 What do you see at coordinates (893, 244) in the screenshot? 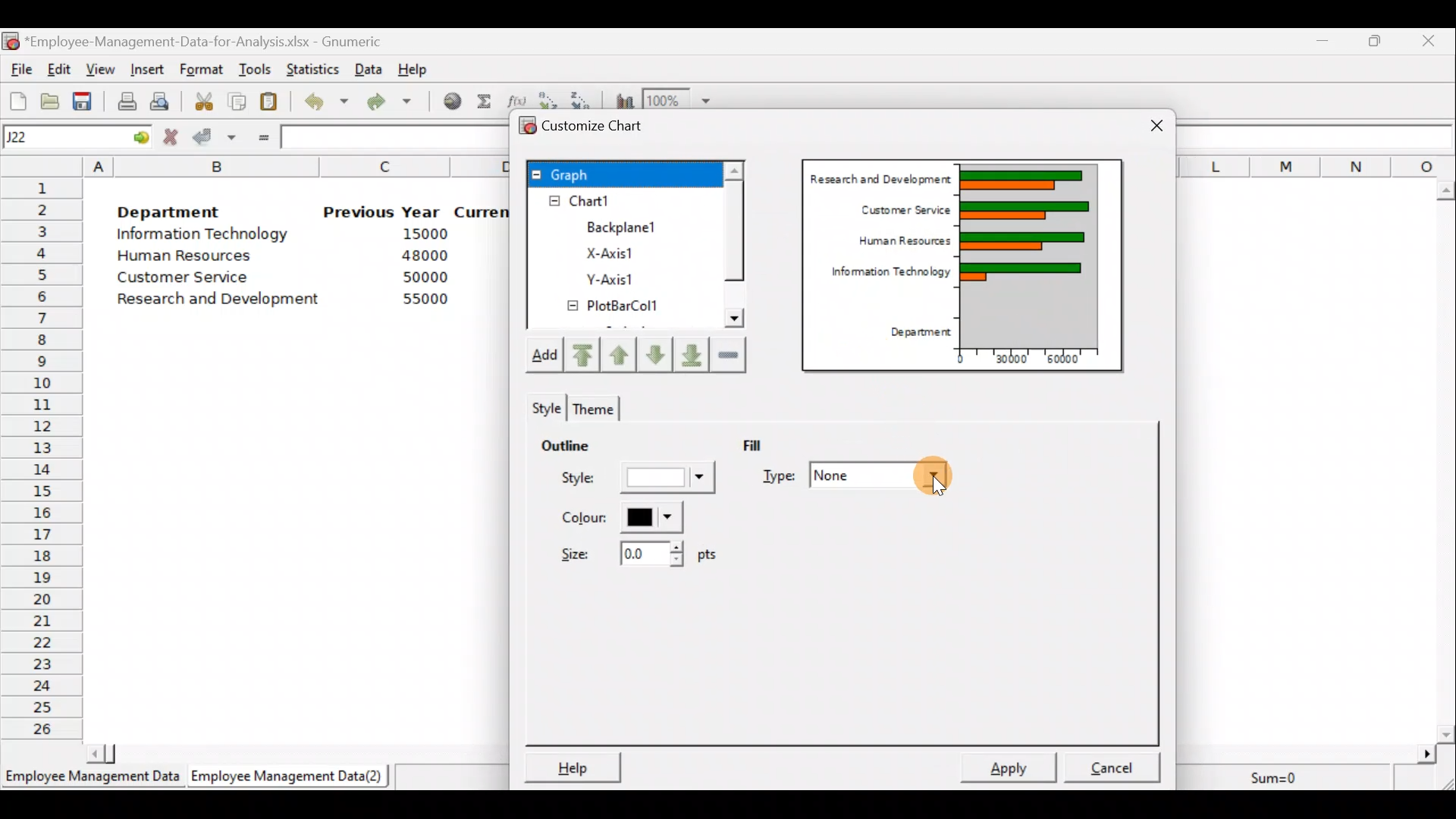
I see `Human Resources` at bounding box center [893, 244].